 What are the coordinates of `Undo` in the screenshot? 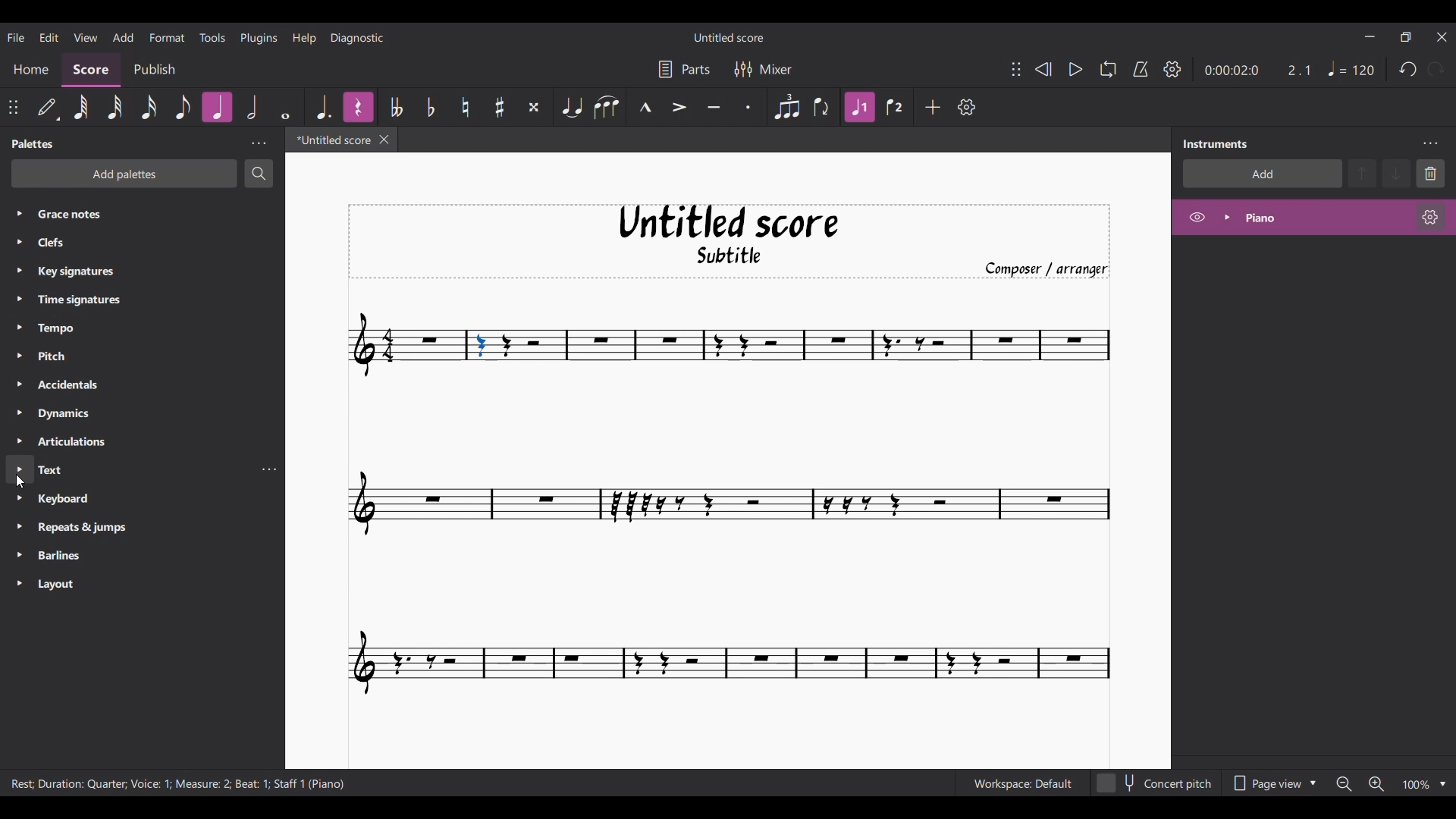 It's located at (1407, 70).